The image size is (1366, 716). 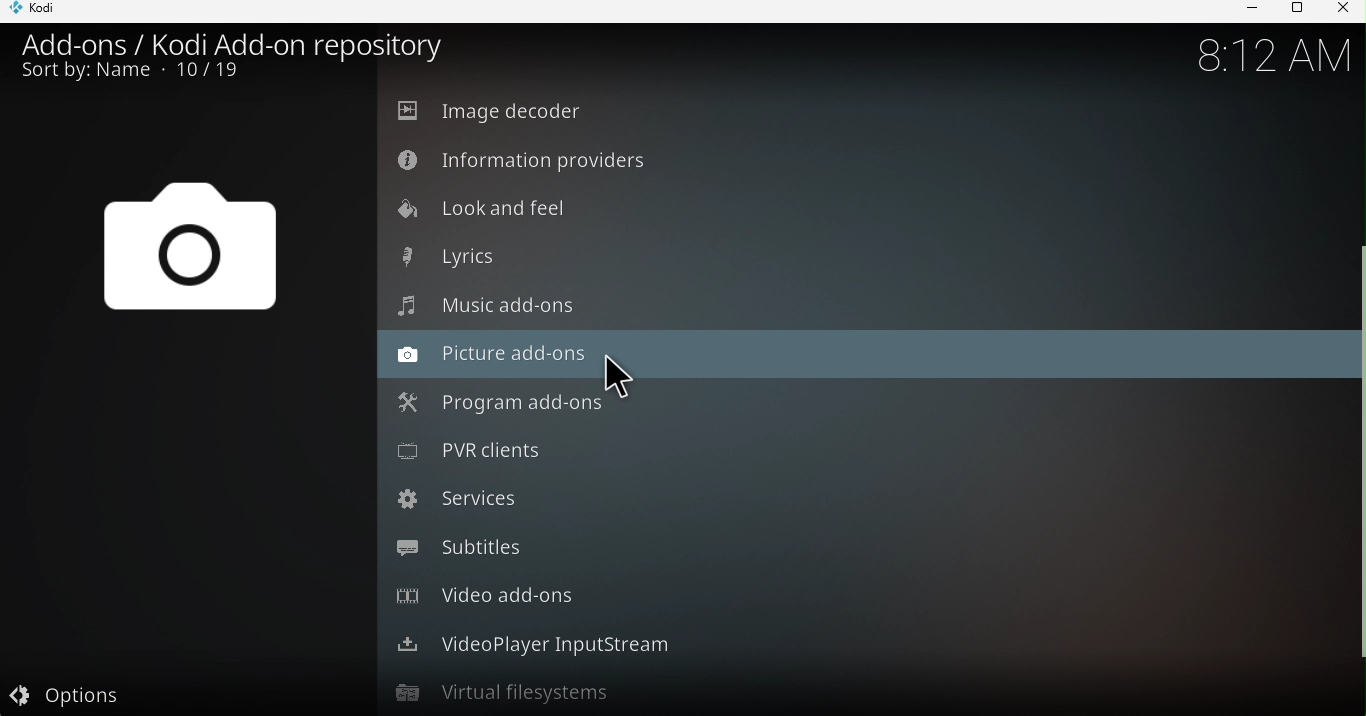 What do you see at coordinates (1246, 11) in the screenshot?
I see `Minimize` at bounding box center [1246, 11].